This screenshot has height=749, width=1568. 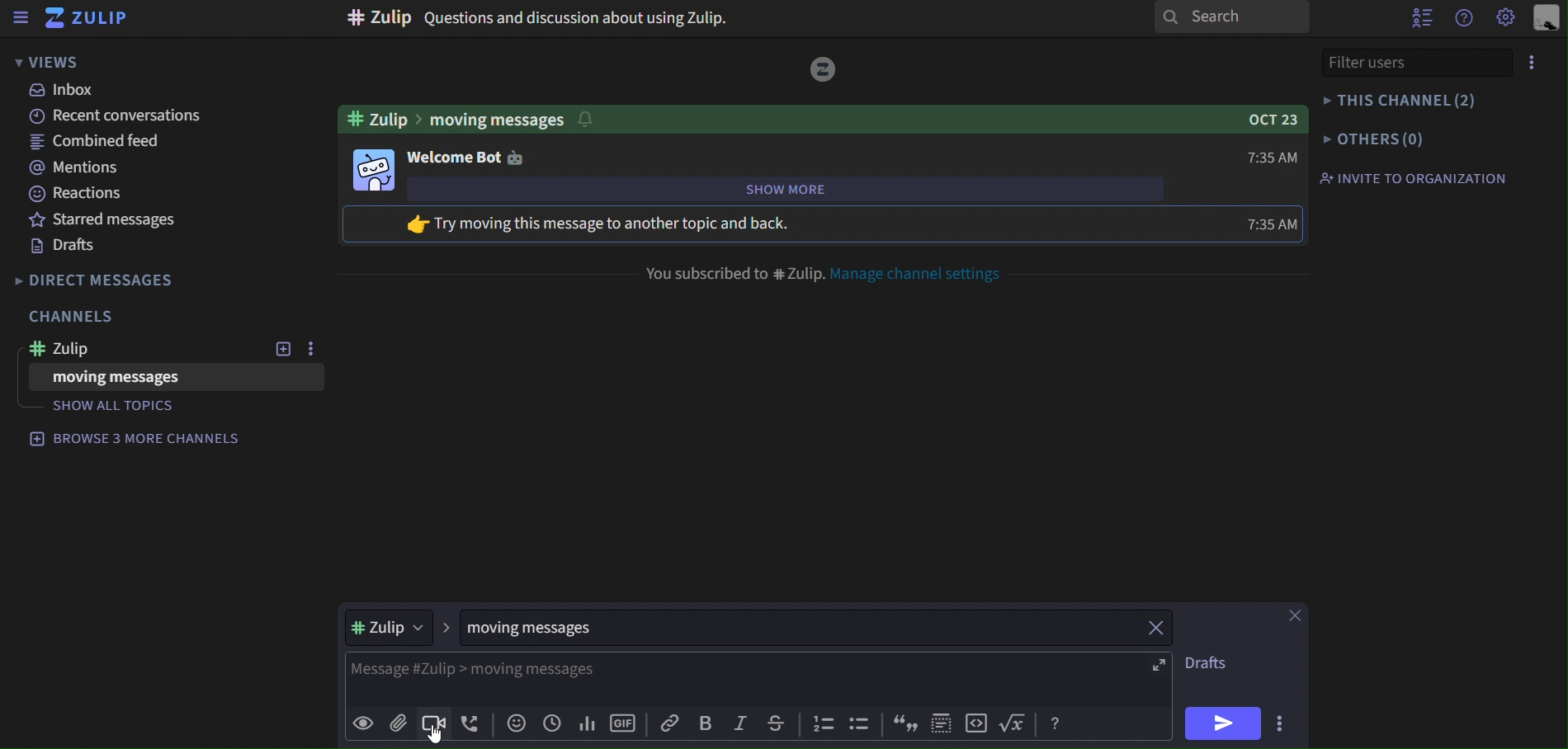 What do you see at coordinates (906, 723) in the screenshot?
I see `icon` at bounding box center [906, 723].